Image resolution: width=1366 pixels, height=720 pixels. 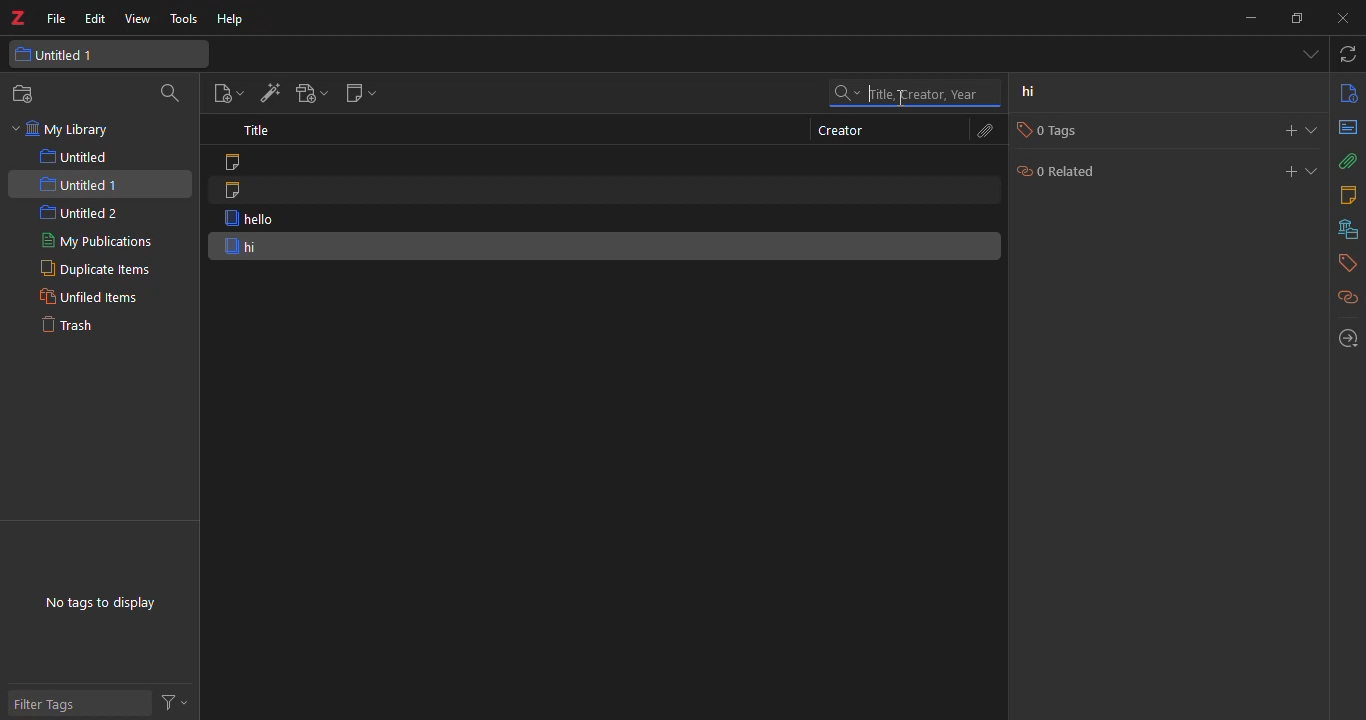 What do you see at coordinates (1347, 16) in the screenshot?
I see `close` at bounding box center [1347, 16].